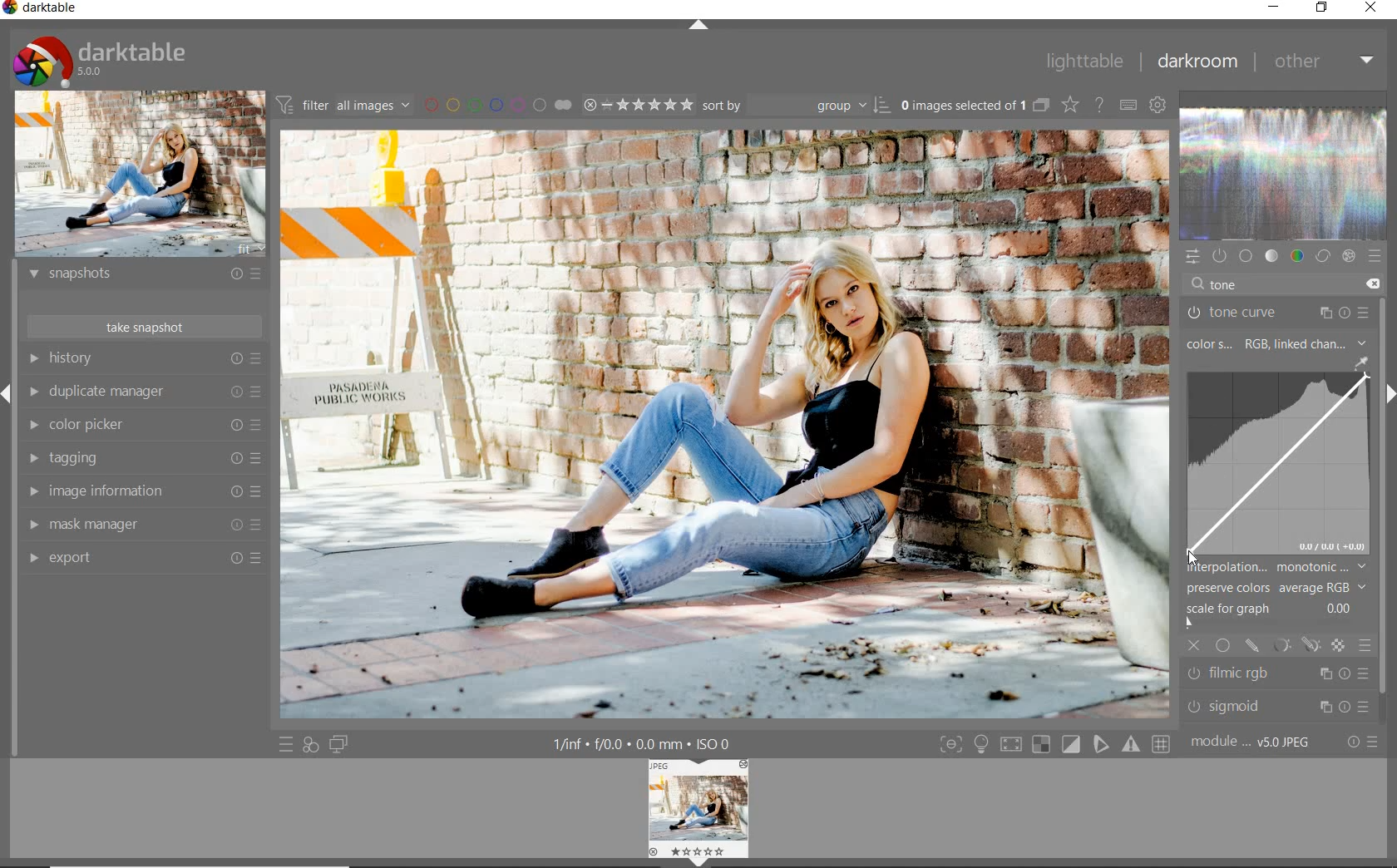 This screenshot has width=1397, height=868. What do you see at coordinates (286, 744) in the screenshot?
I see `quick access to presets` at bounding box center [286, 744].